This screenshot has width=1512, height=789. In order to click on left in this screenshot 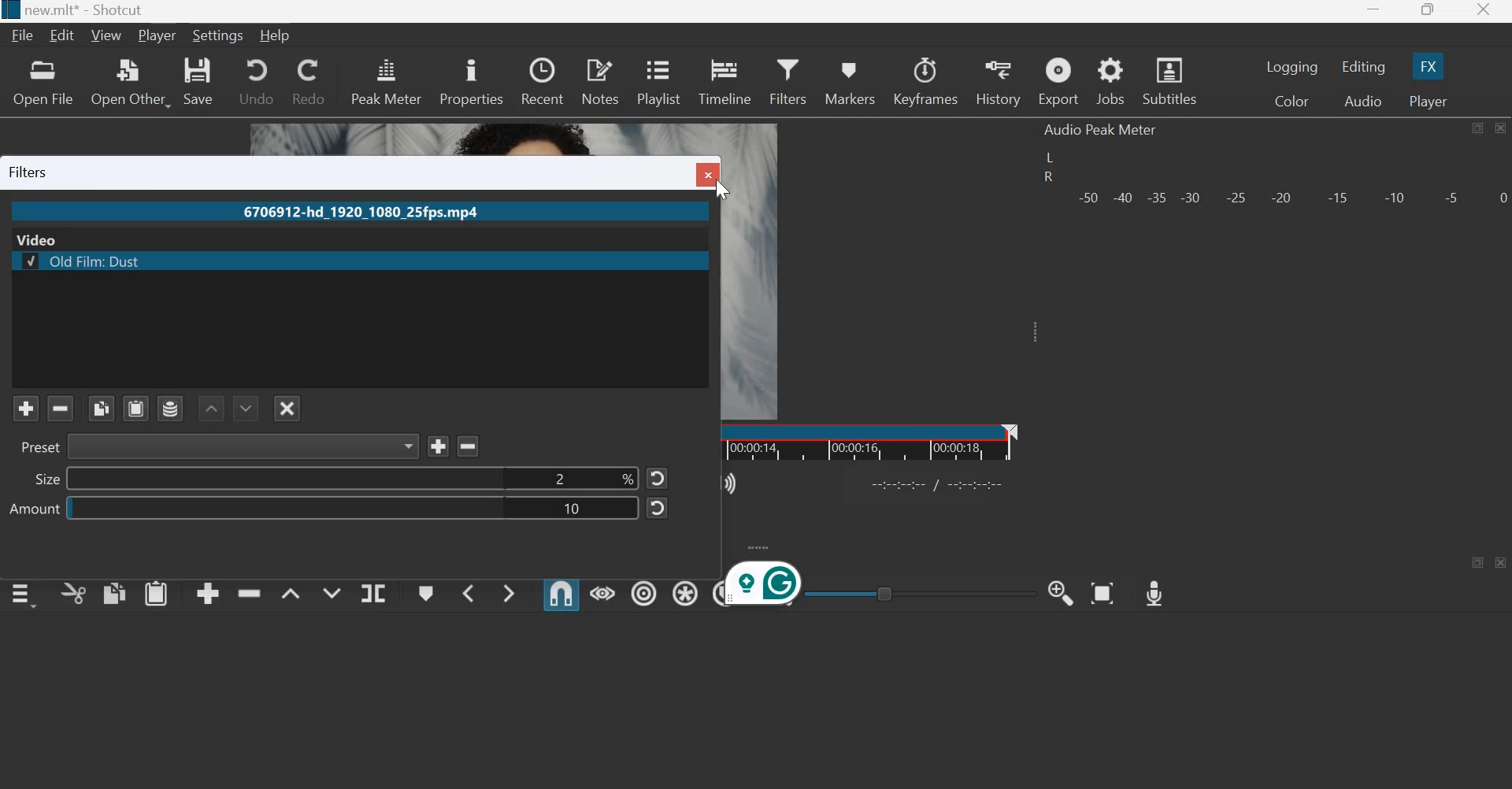, I will do `click(1052, 157)`.